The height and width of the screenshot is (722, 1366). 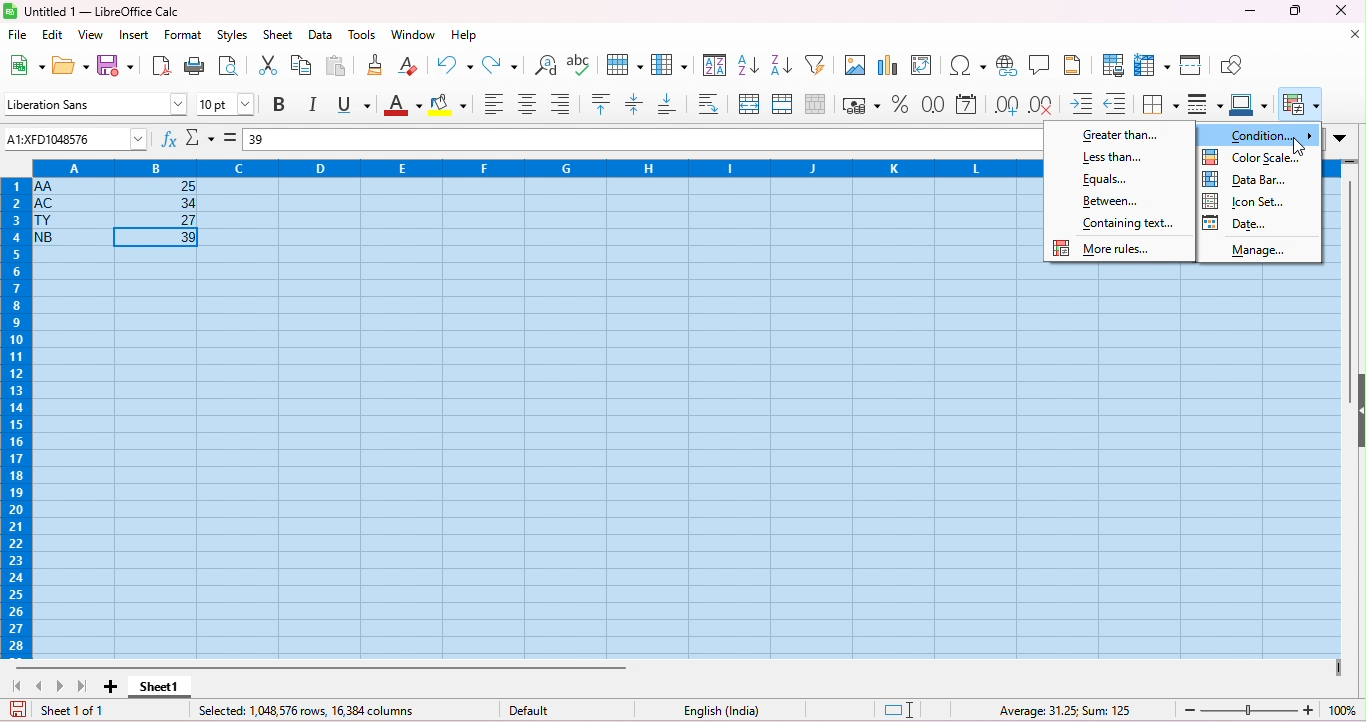 What do you see at coordinates (1007, 105) in the screenshot?
I see `add decimal` at bounding box center [1007, 105].